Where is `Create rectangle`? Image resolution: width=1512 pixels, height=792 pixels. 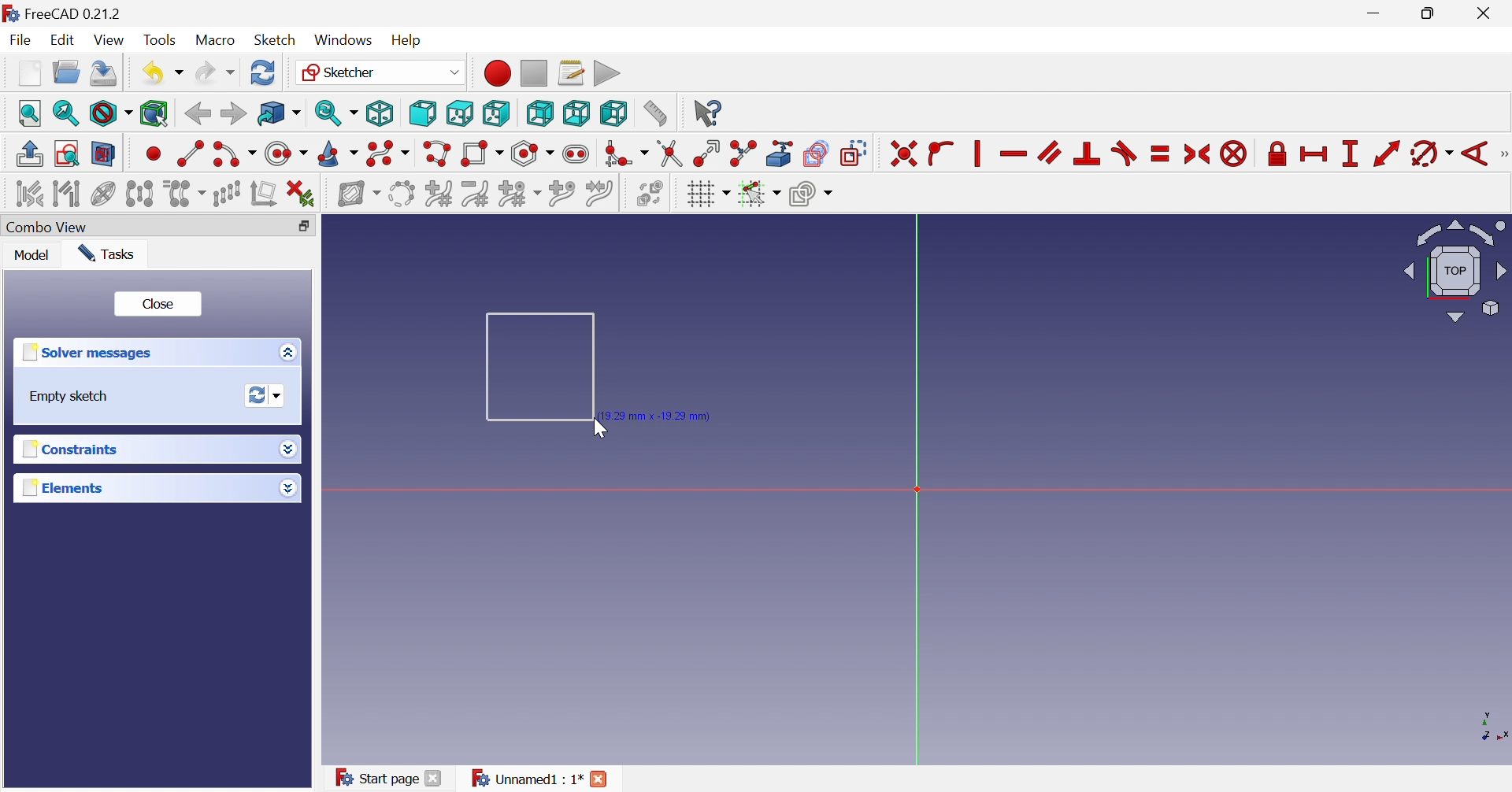 Create rectangle is located at coordinates (481, 154).